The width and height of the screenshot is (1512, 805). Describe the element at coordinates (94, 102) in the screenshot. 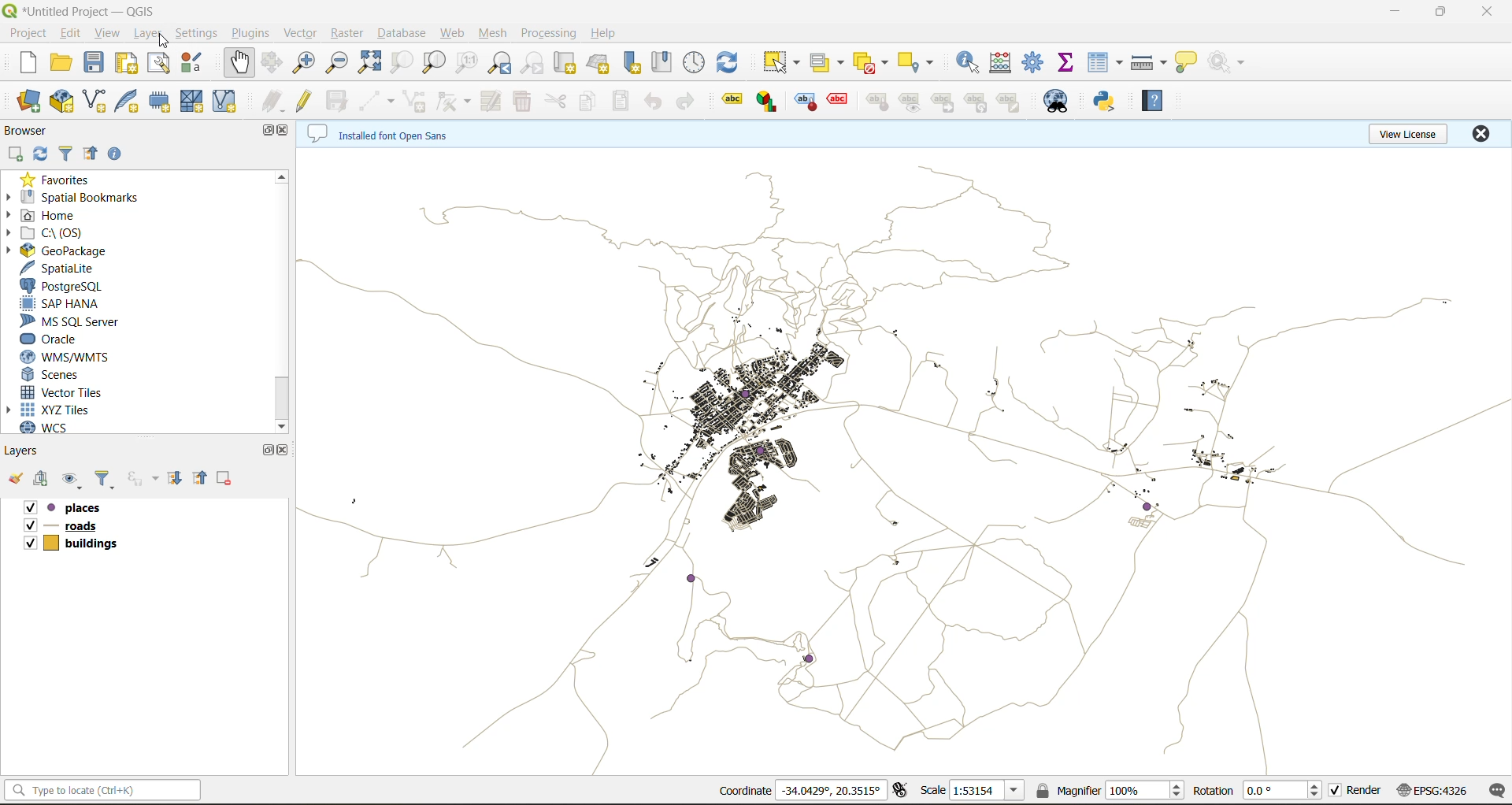

I see `new shapefile` at that location.